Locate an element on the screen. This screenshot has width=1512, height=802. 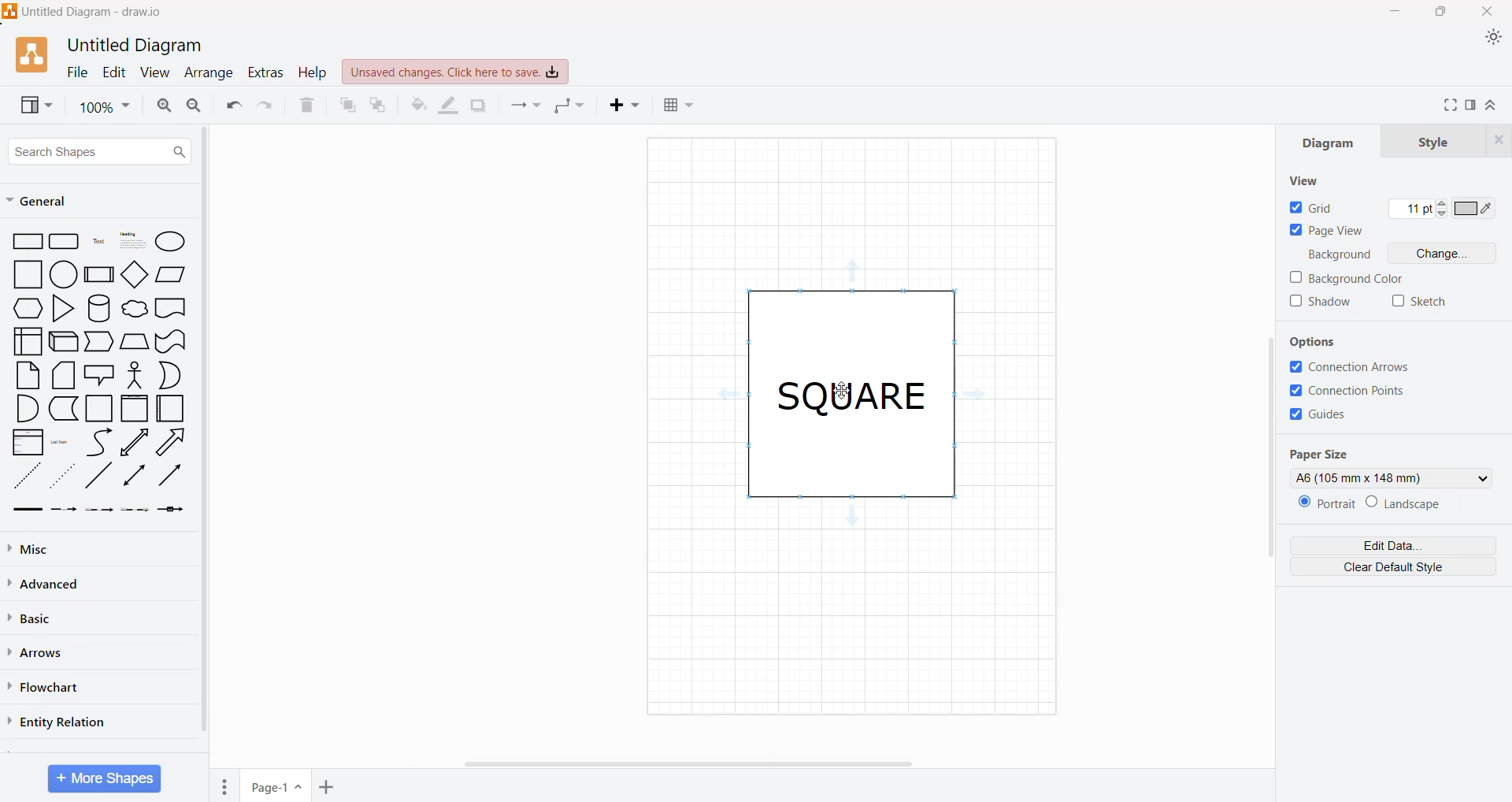
Diagram is located at coordinates (1333, 144).